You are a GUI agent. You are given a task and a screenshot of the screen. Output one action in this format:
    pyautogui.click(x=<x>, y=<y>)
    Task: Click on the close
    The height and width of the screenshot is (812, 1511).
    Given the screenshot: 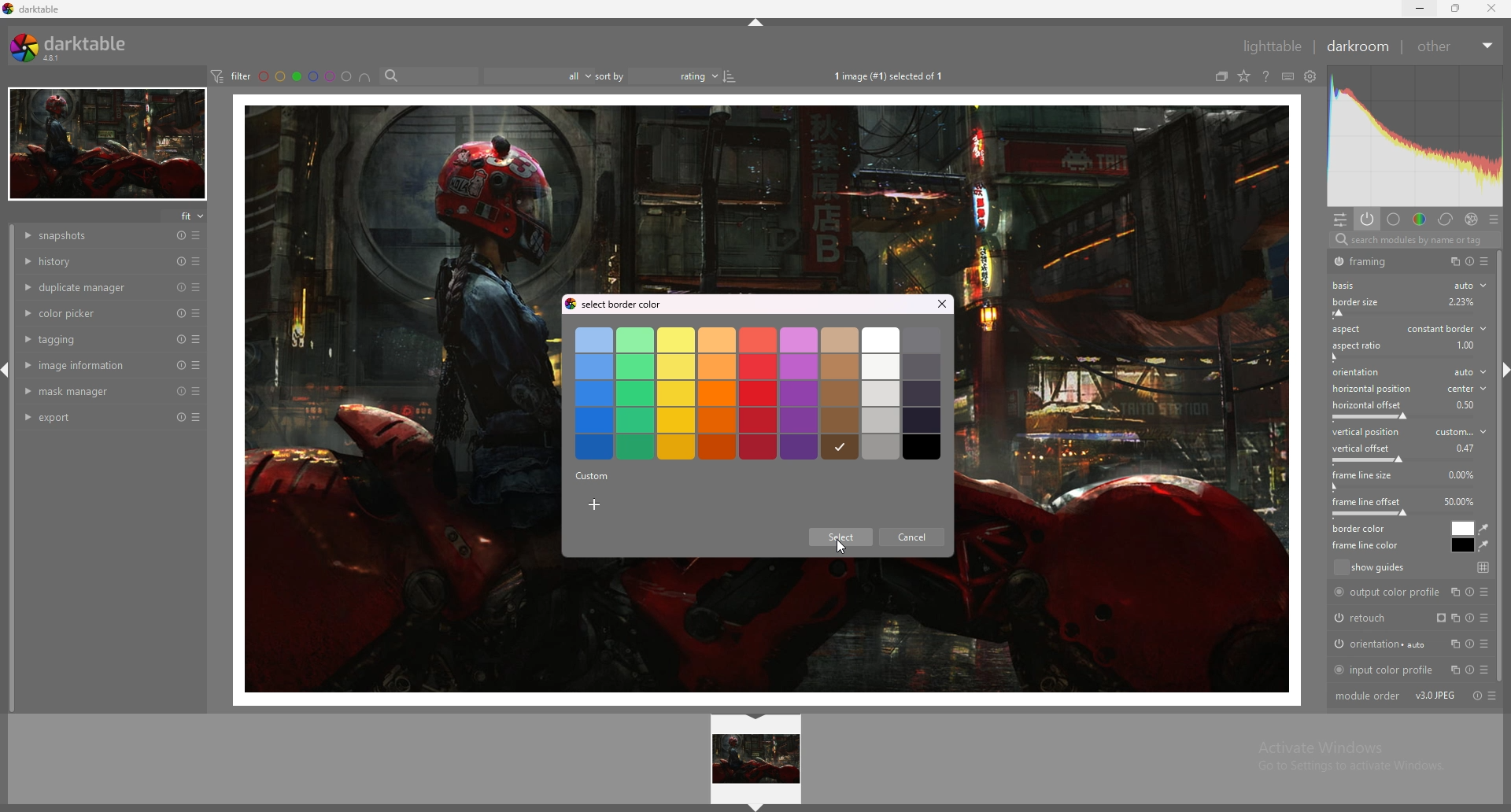 What is the action you would take?
    pyautogui.click(x=1491, y=9)
    